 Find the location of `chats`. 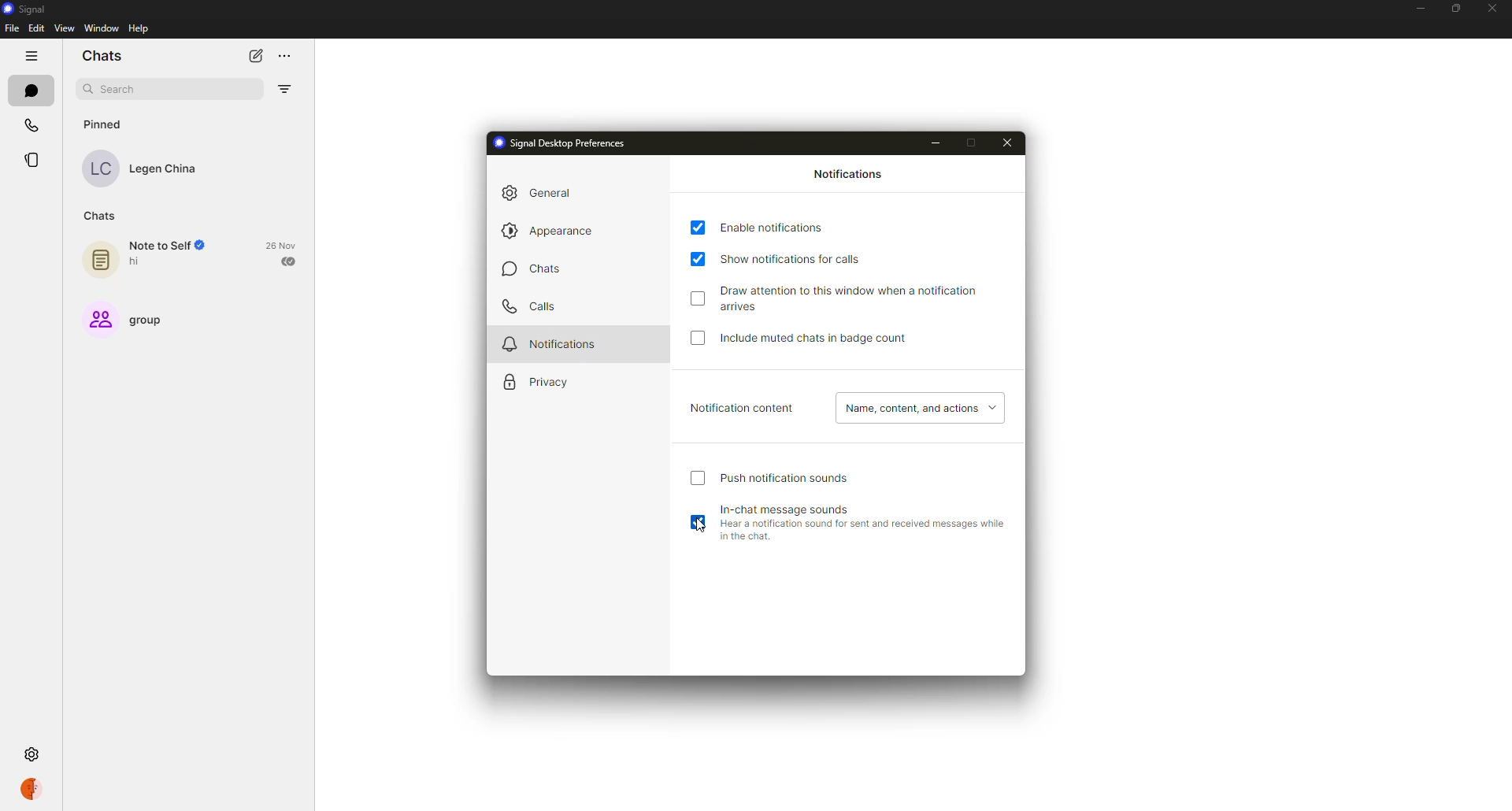

chats is located at coordinates (540, 268).